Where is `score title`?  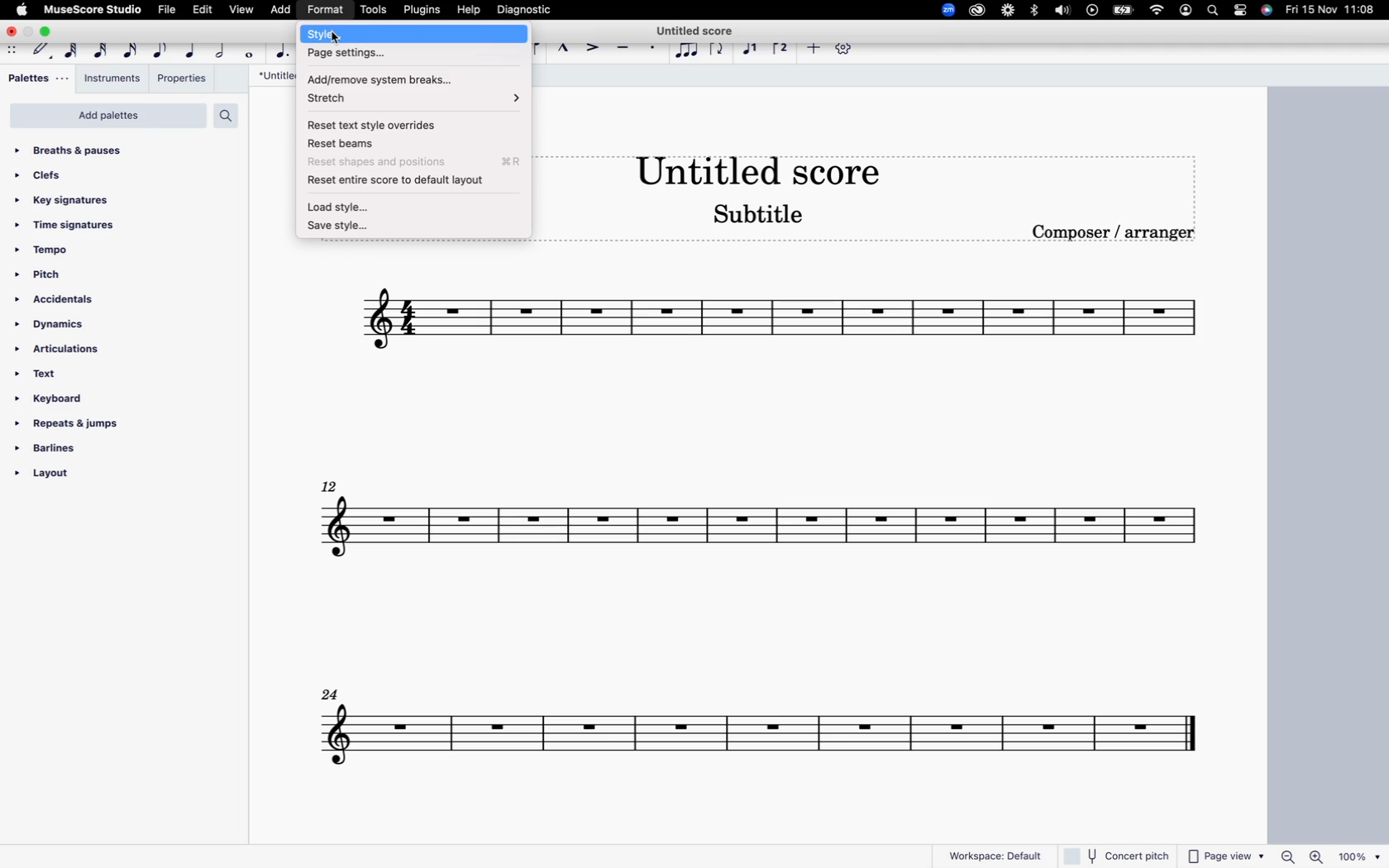
score title is located at coordinates (702, 30).